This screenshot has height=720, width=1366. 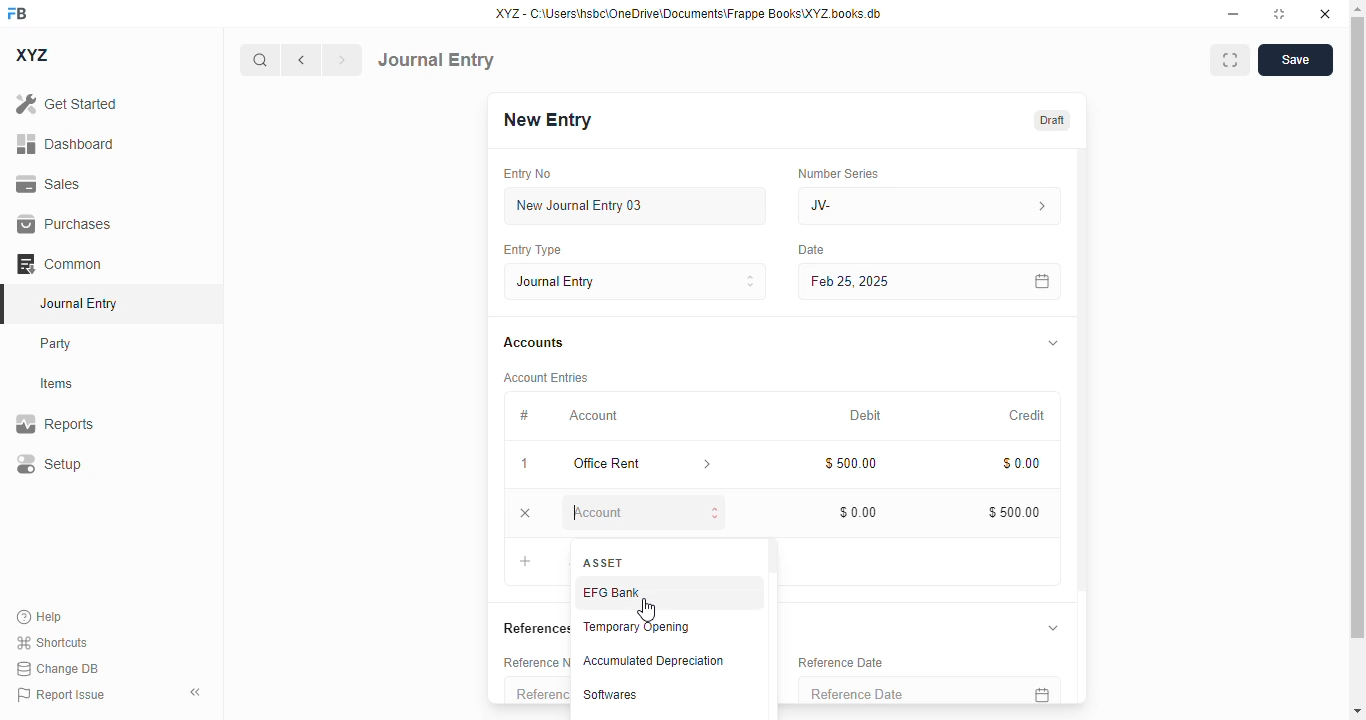 What do you see at coordinates (197, 692) in the screenshot?
I see `toggle sidebar` at bounding box center [197, 692].